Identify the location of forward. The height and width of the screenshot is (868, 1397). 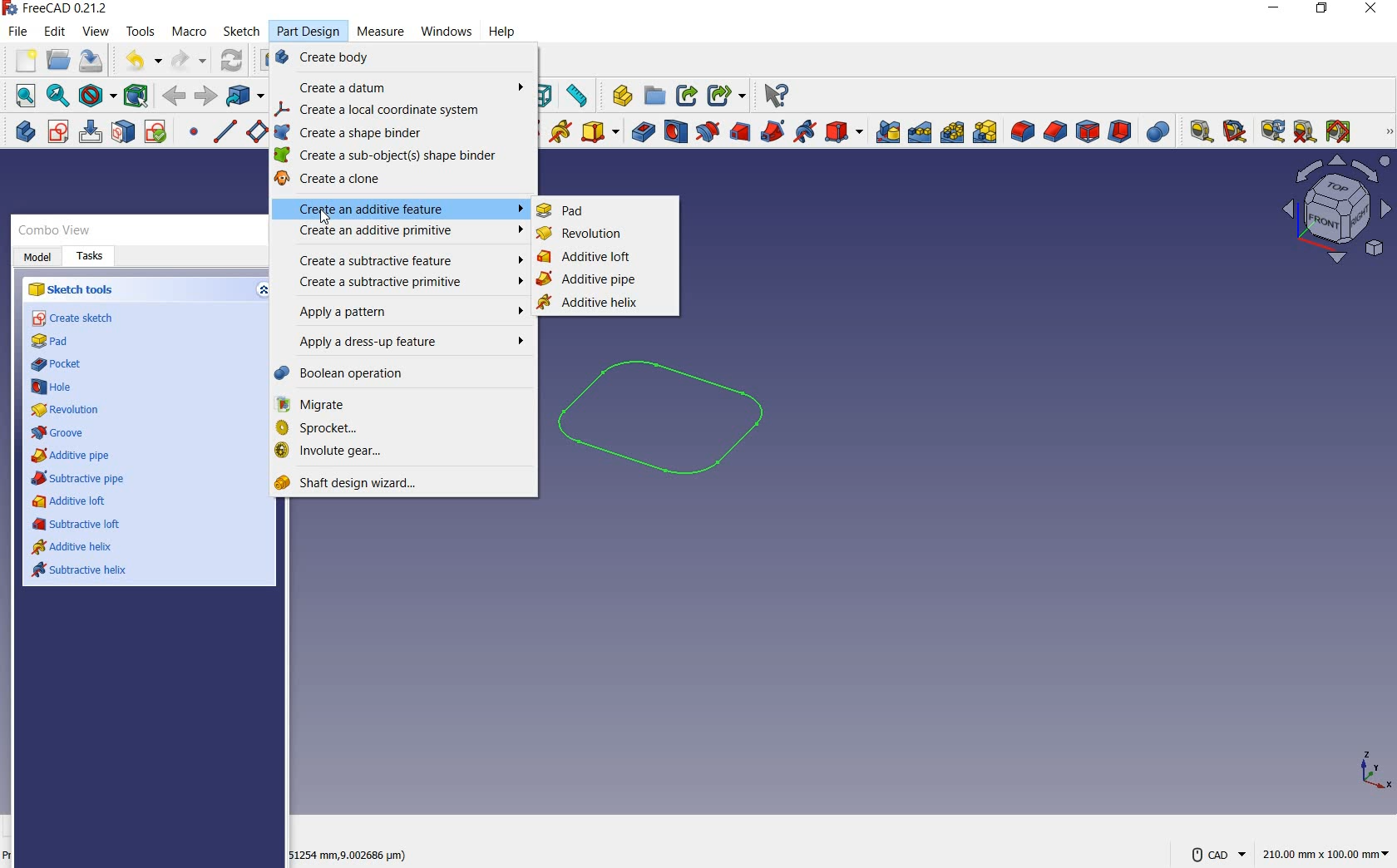
(175, 95).